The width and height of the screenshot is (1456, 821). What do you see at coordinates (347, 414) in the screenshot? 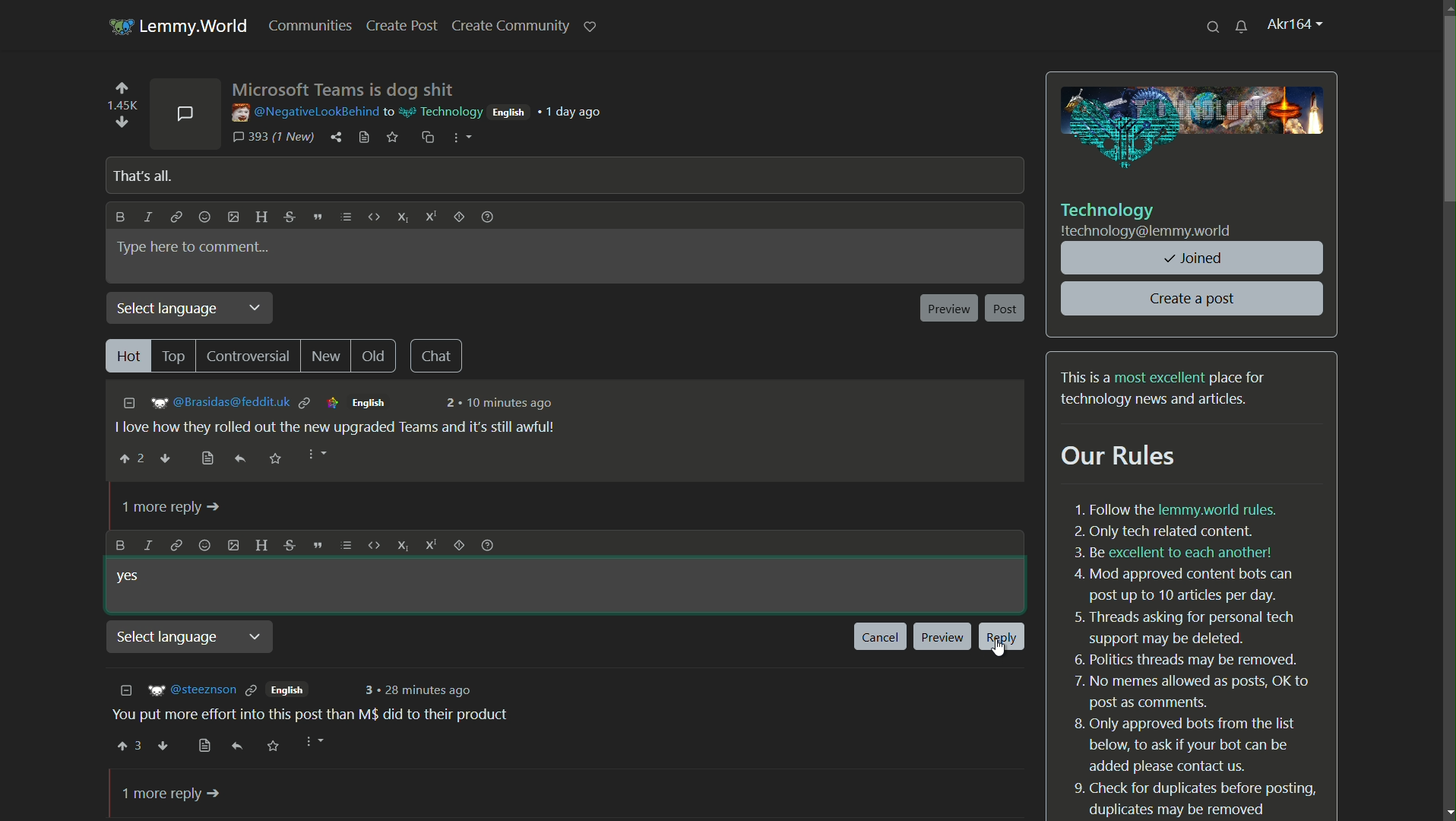
I see `comment-1` at bounding box center [347, 414].